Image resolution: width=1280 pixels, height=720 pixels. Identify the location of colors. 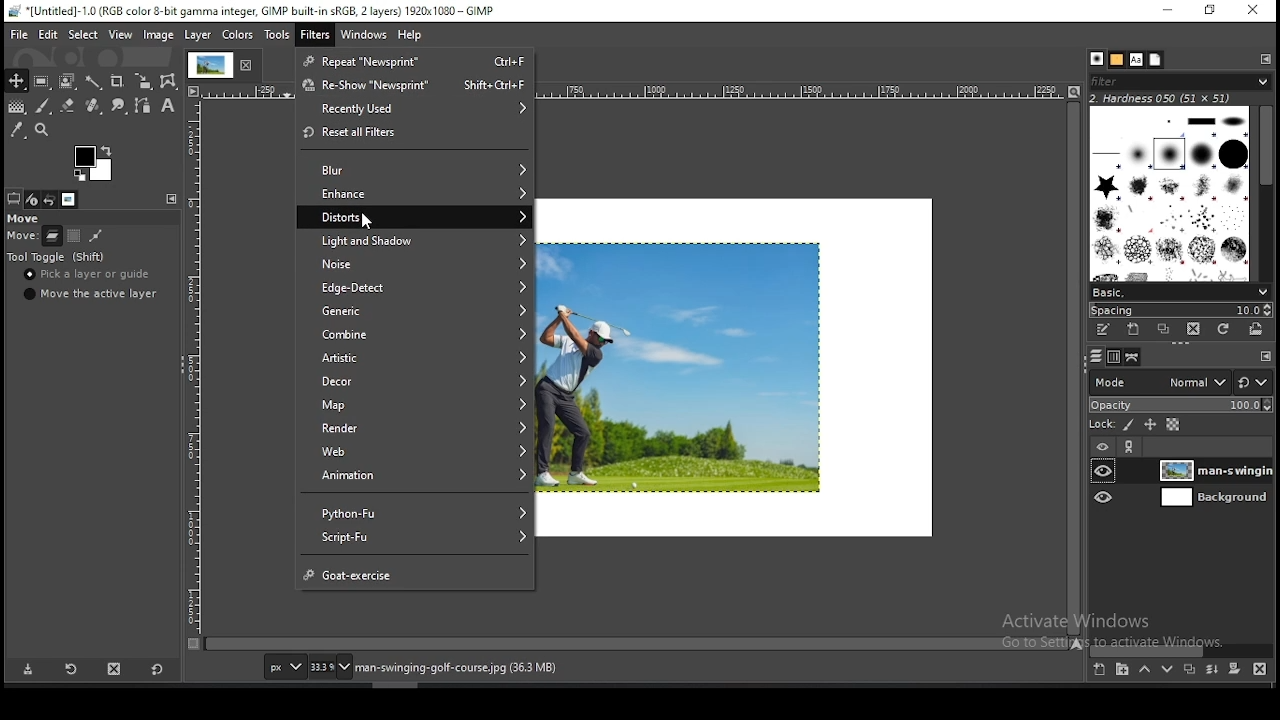
(237, 35).